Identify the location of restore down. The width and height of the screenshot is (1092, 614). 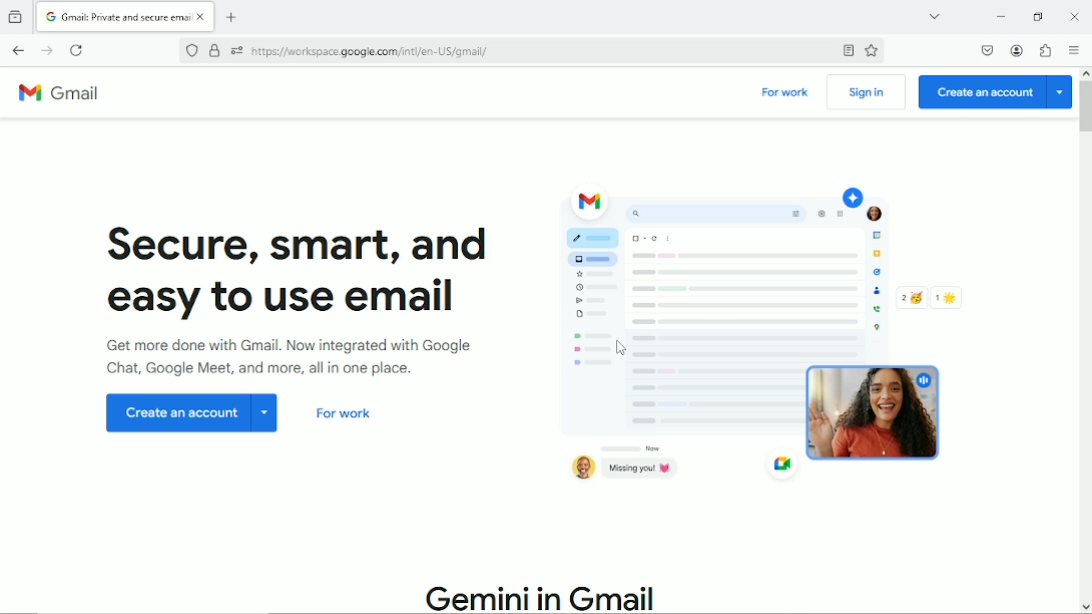
(1039, 16).